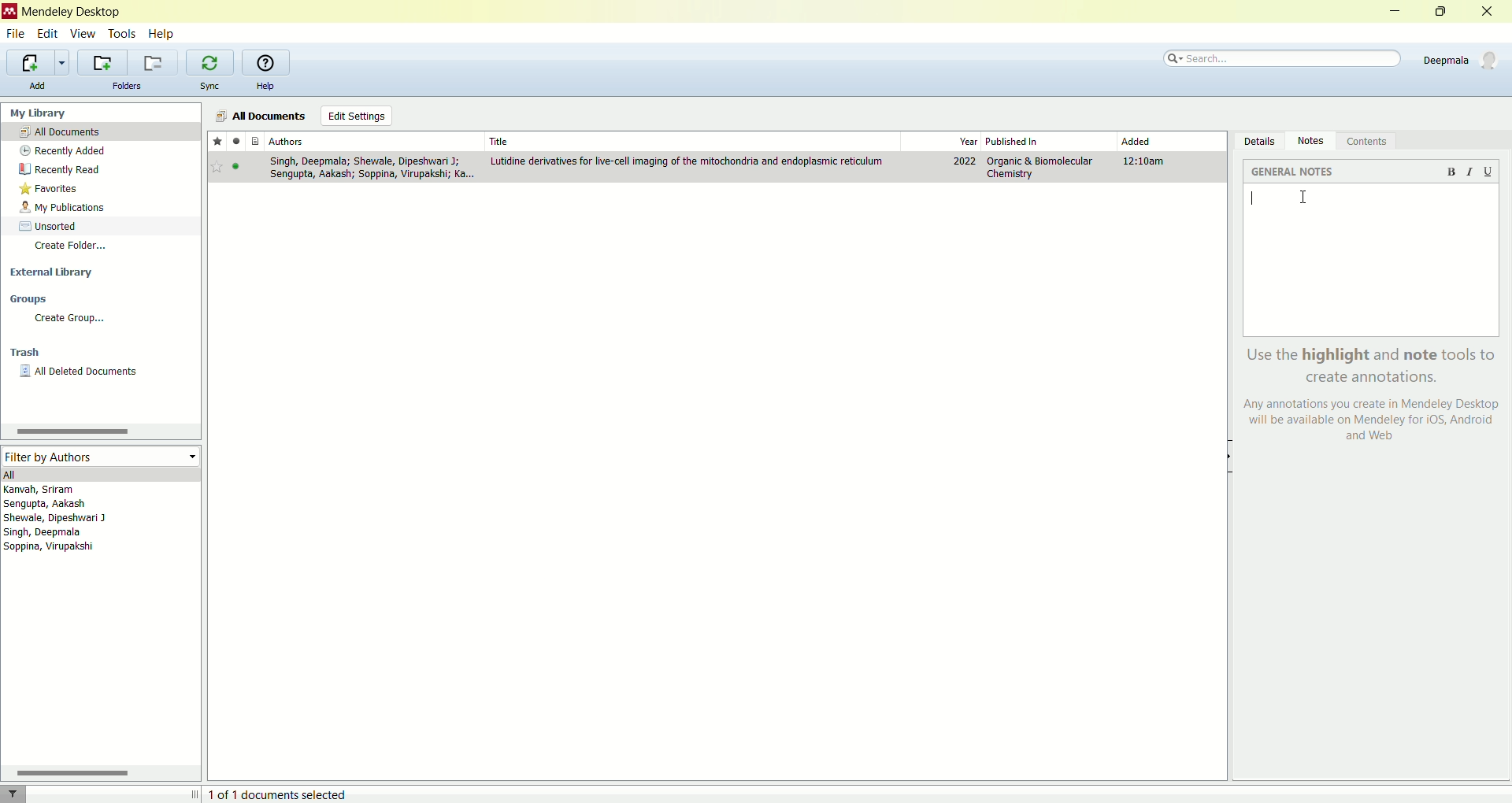 This screenshot has height=803, width=1512. What do you see at coordinates (73, 13) in the screenshot?
I see `Mendeley desktop` at bounding box center [73, 13].